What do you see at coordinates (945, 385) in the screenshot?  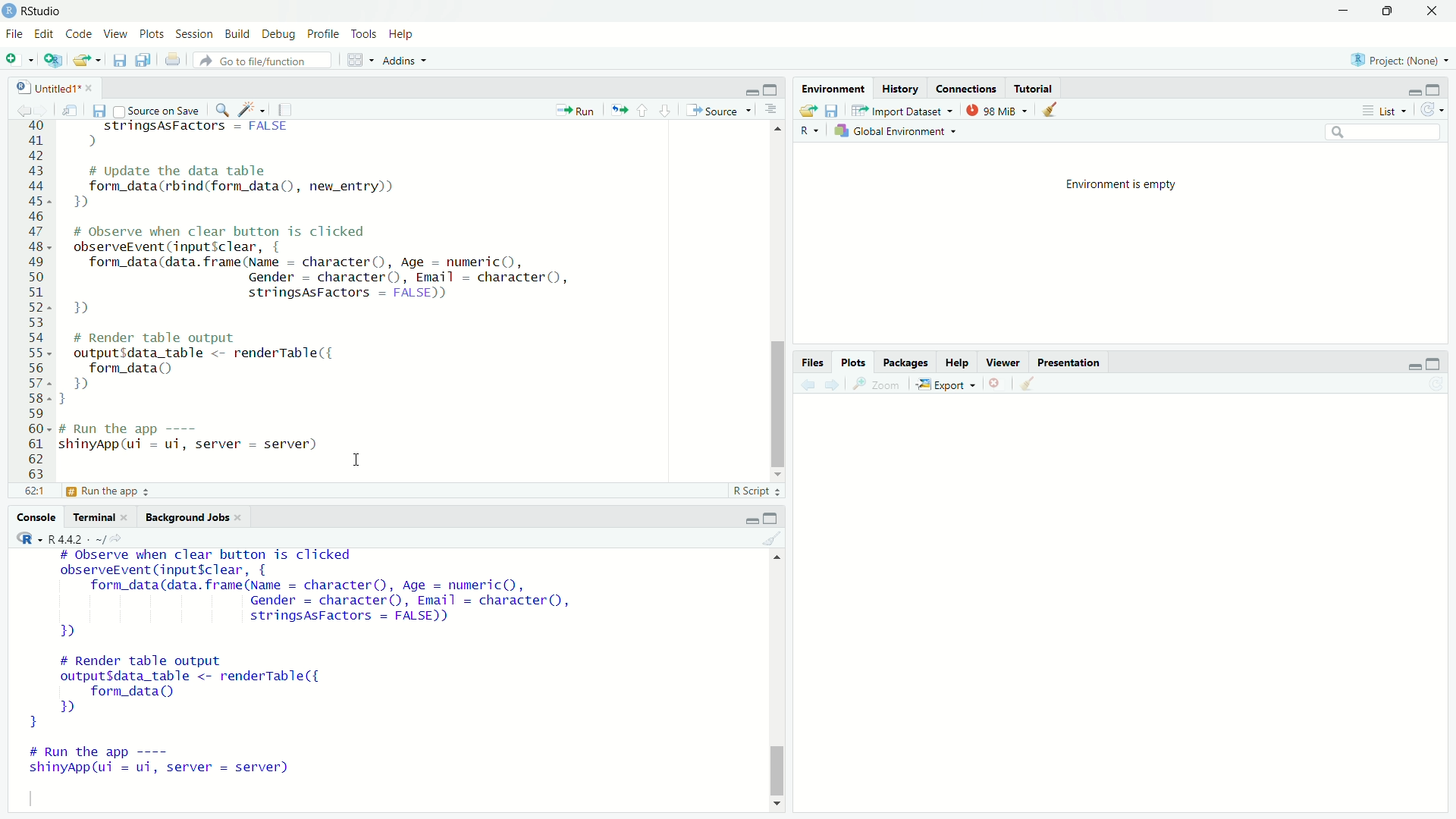 I see `export` at bounding box center [945, 385].